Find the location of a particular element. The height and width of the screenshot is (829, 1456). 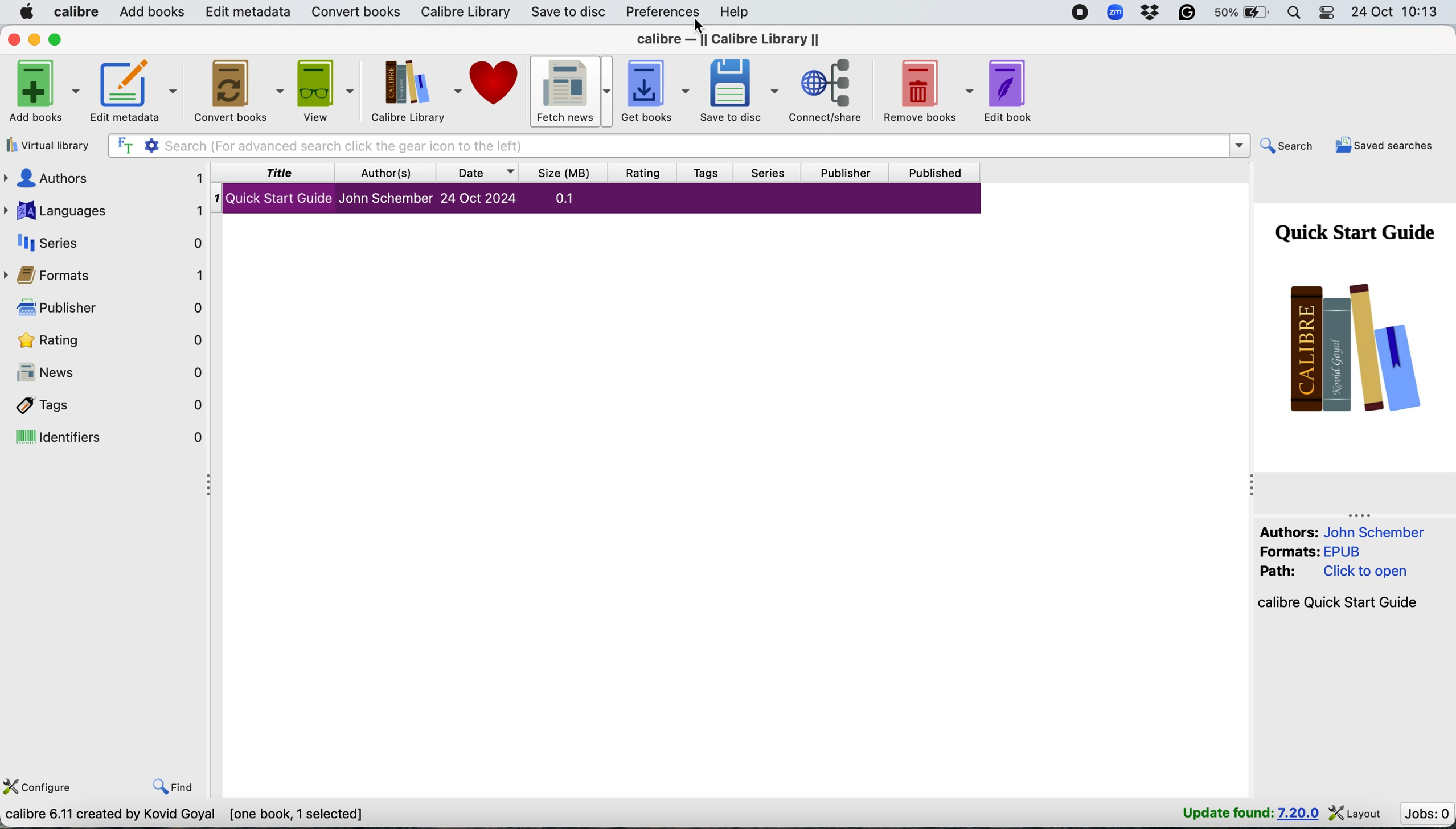

configure is located at coordinates (42, 787).